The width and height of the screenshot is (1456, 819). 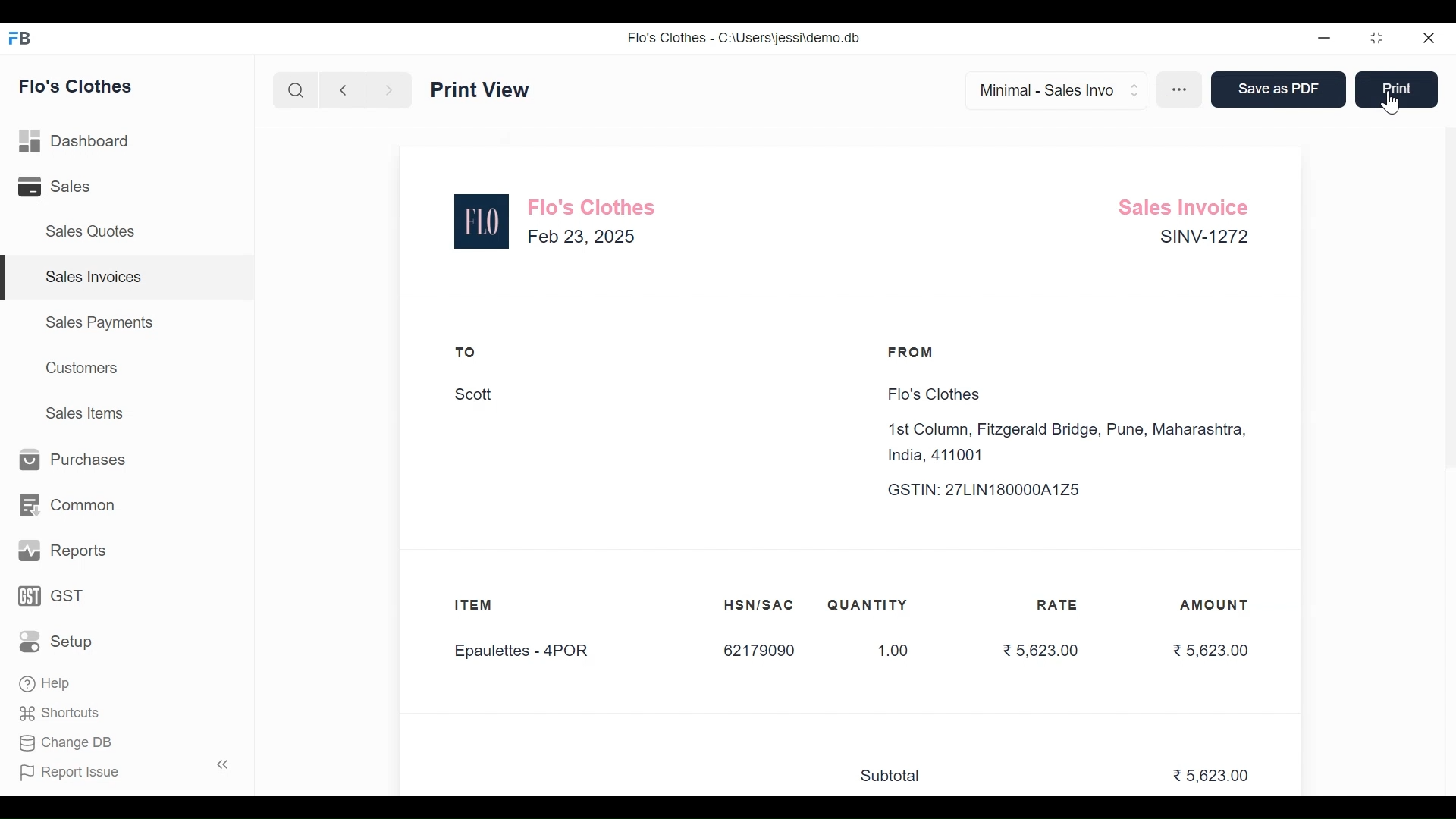 What do you see at coordinates (1216, 606) in the screenshot?
I see `AMOUNT` at bounding box center [1216, 606].